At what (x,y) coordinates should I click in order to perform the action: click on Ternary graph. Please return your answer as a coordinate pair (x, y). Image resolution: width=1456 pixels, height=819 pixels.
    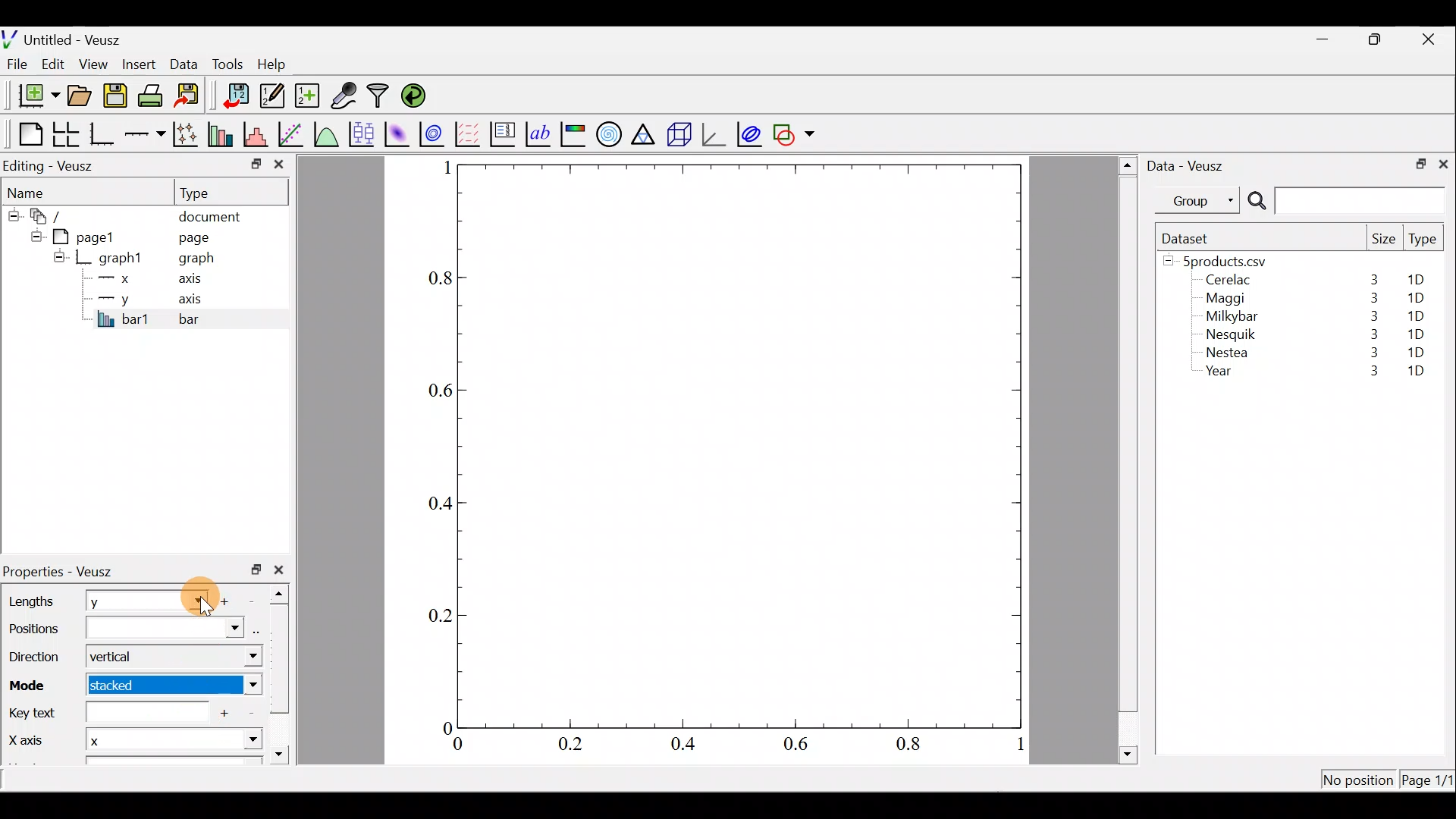
    Looking at the image, I should click on (645, 132).